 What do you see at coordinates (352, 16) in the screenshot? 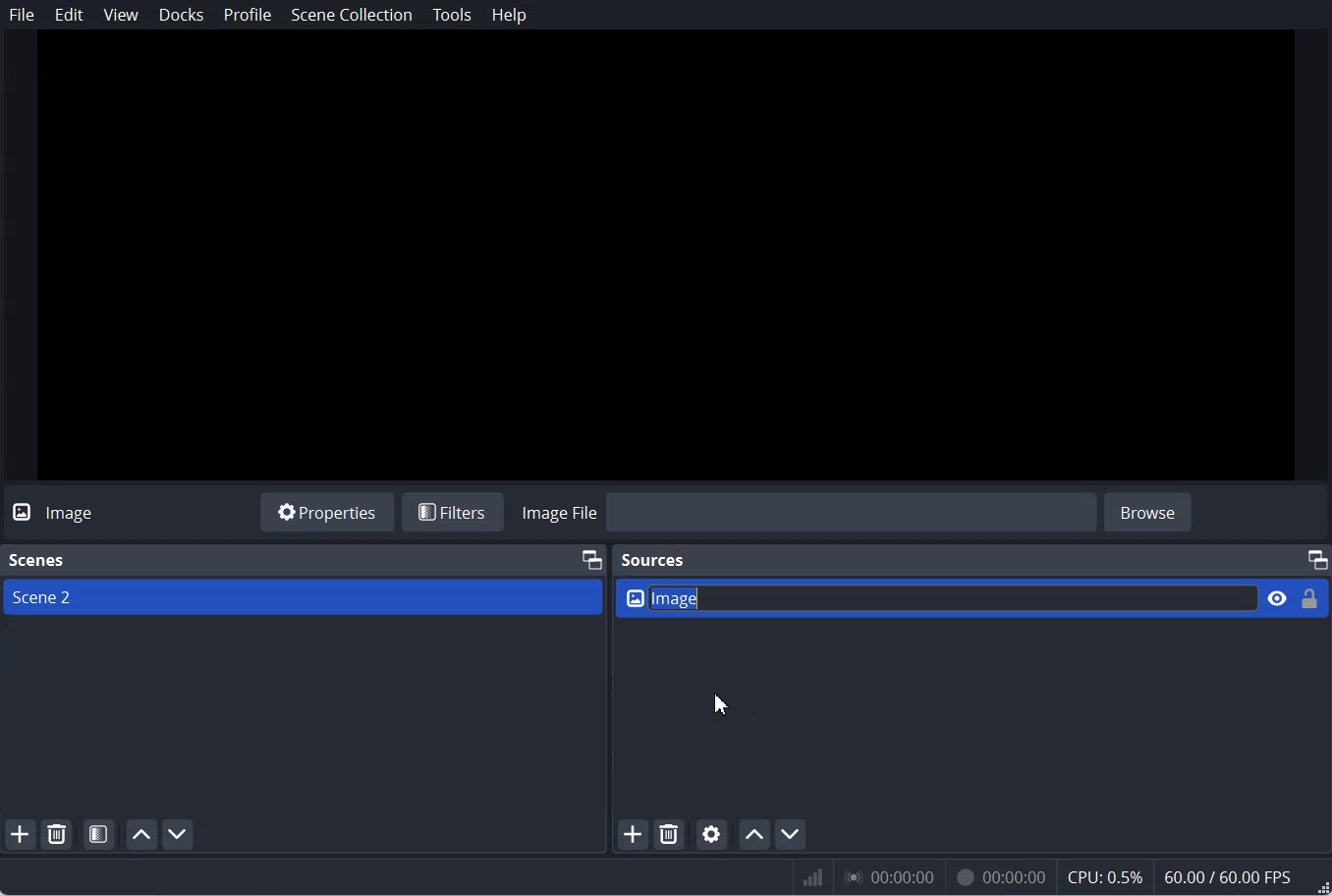
I see `Scene Collection` at bounding box center [352, 16].